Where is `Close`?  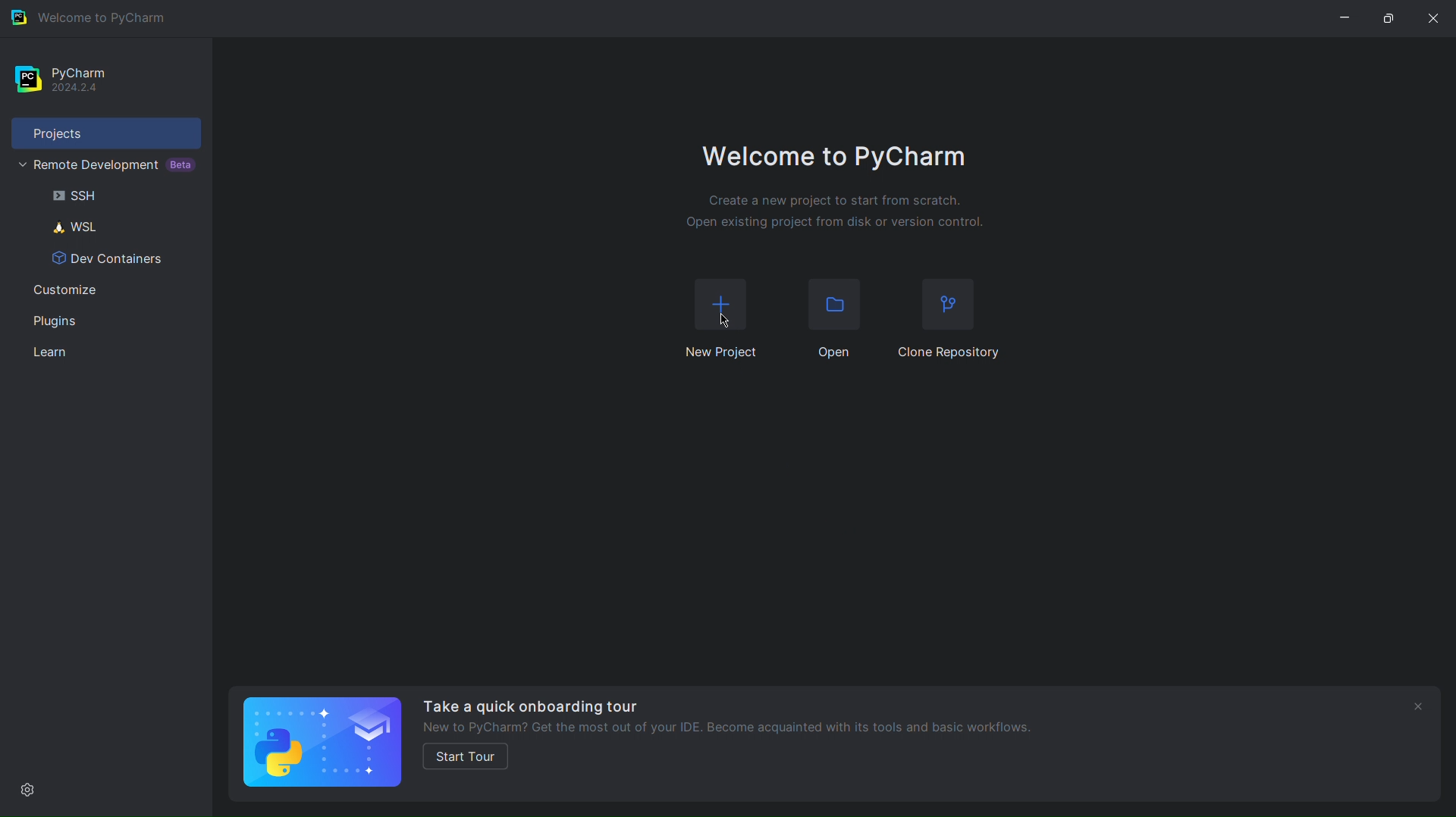 Close is located at coordinates (1435, 21).